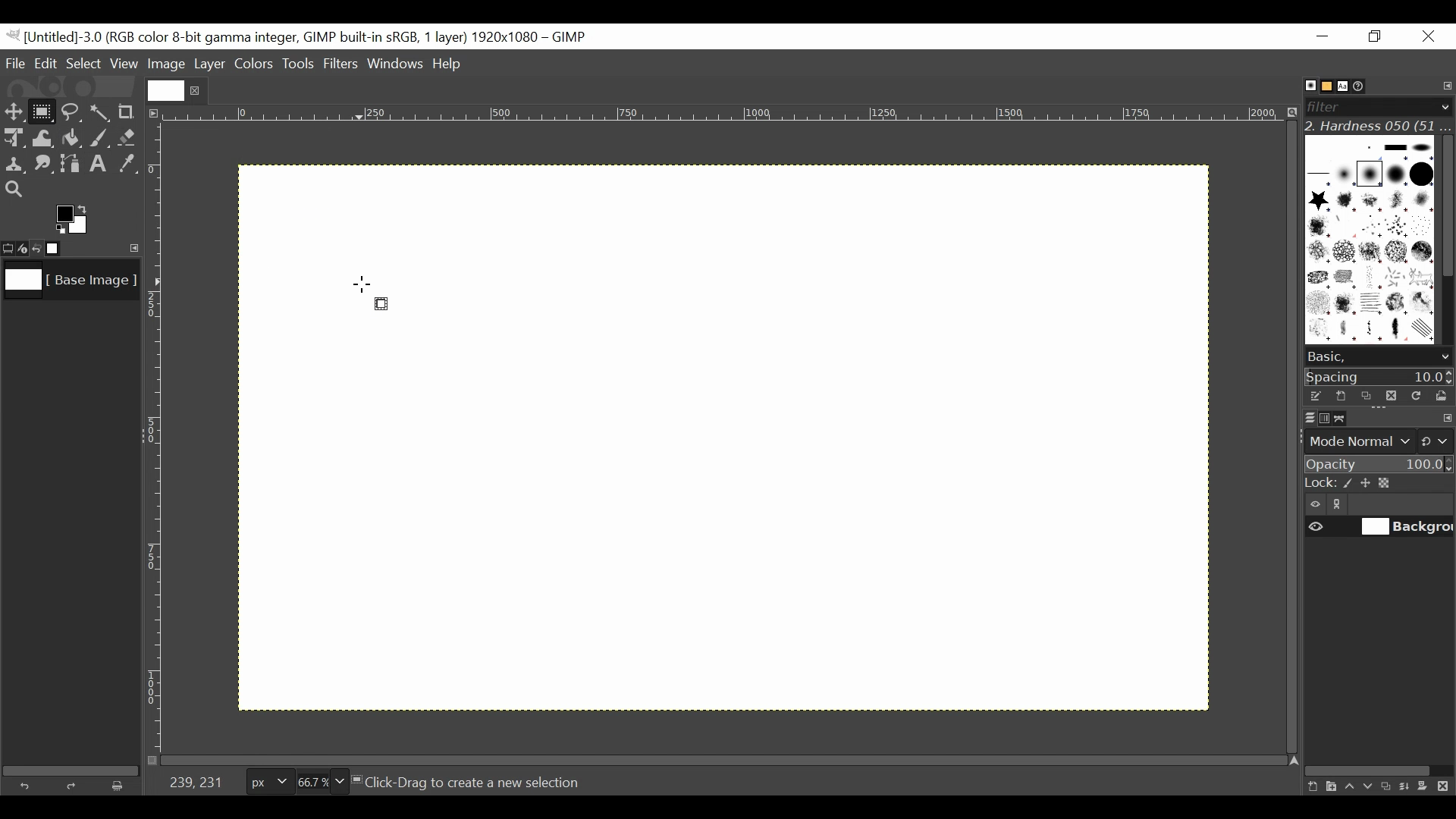 The image size is (1456, 819). Describe the element at coordinates (302, 37) in the screenshot. I see `Gimp File Name` at that location.